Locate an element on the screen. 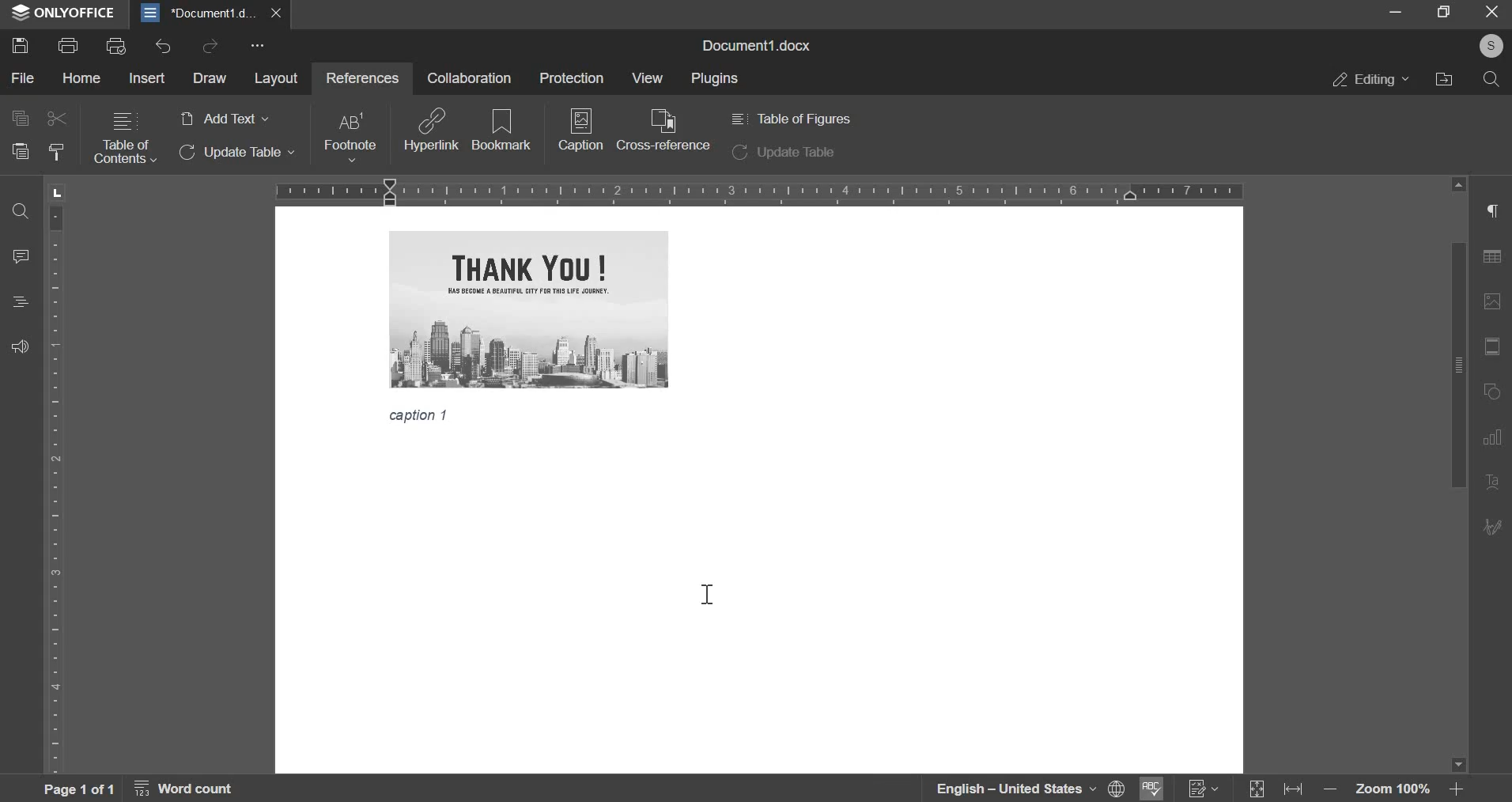 The height and width of the screenshot is (802, 1512). zoom 100% is located at coordinates (1394, 791).